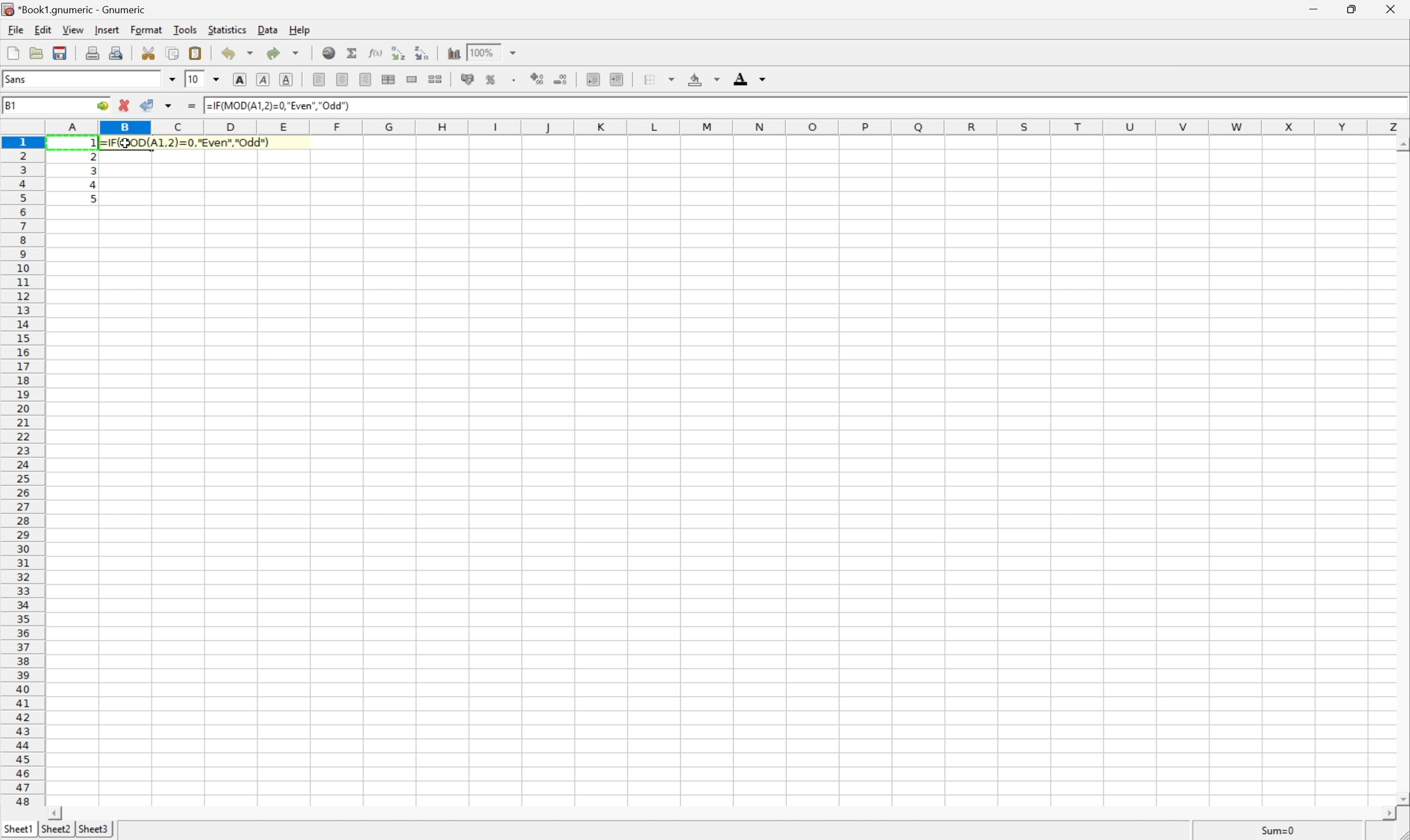 The height and width of the screenshot is (840, 1410). Describe the element at coordinates (727, 126) in the screenshot. I see `Column names` at that location.